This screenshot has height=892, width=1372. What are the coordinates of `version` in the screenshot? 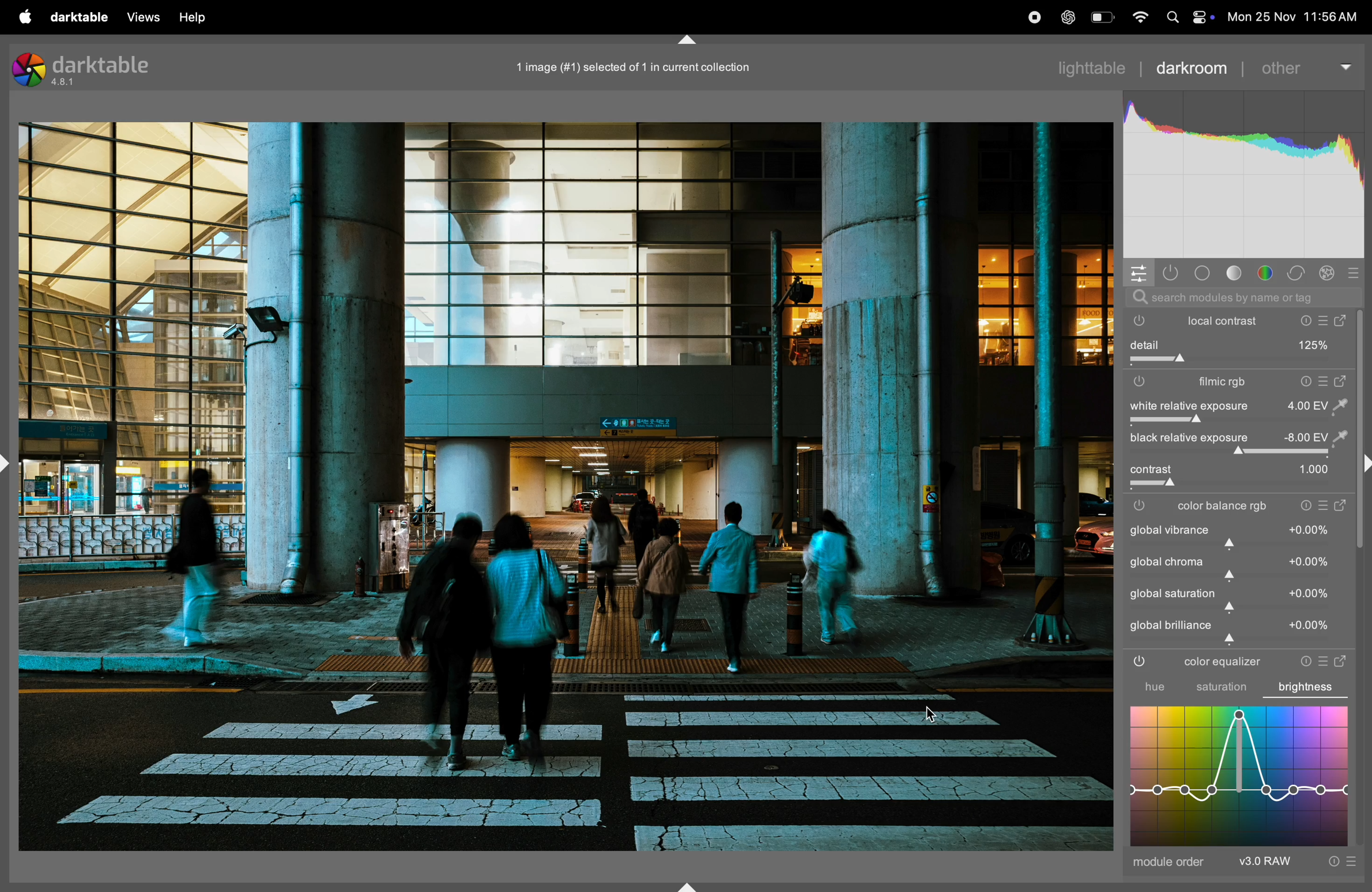 It's located at (66, 84).